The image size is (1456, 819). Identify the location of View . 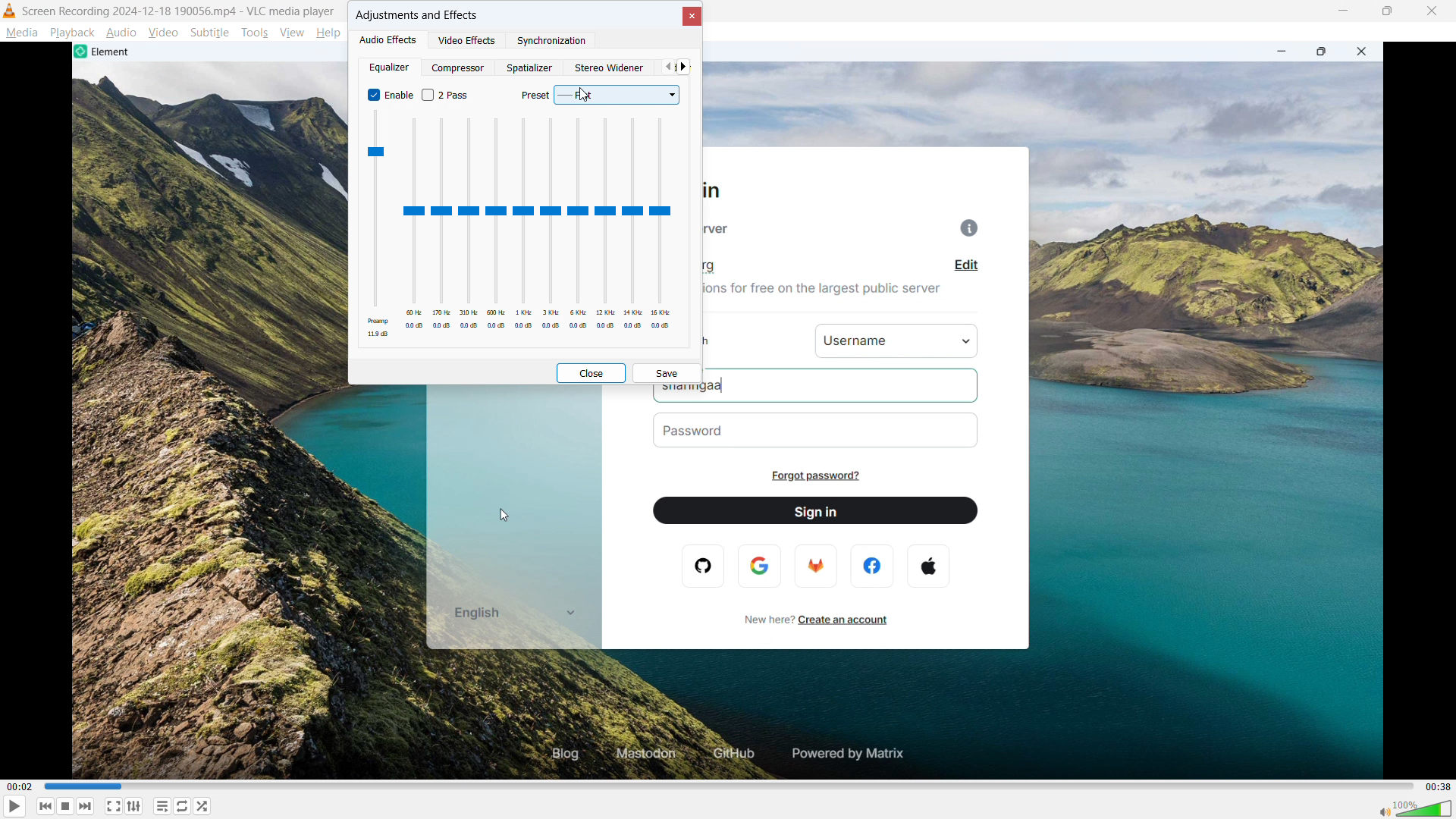
(291, 33).